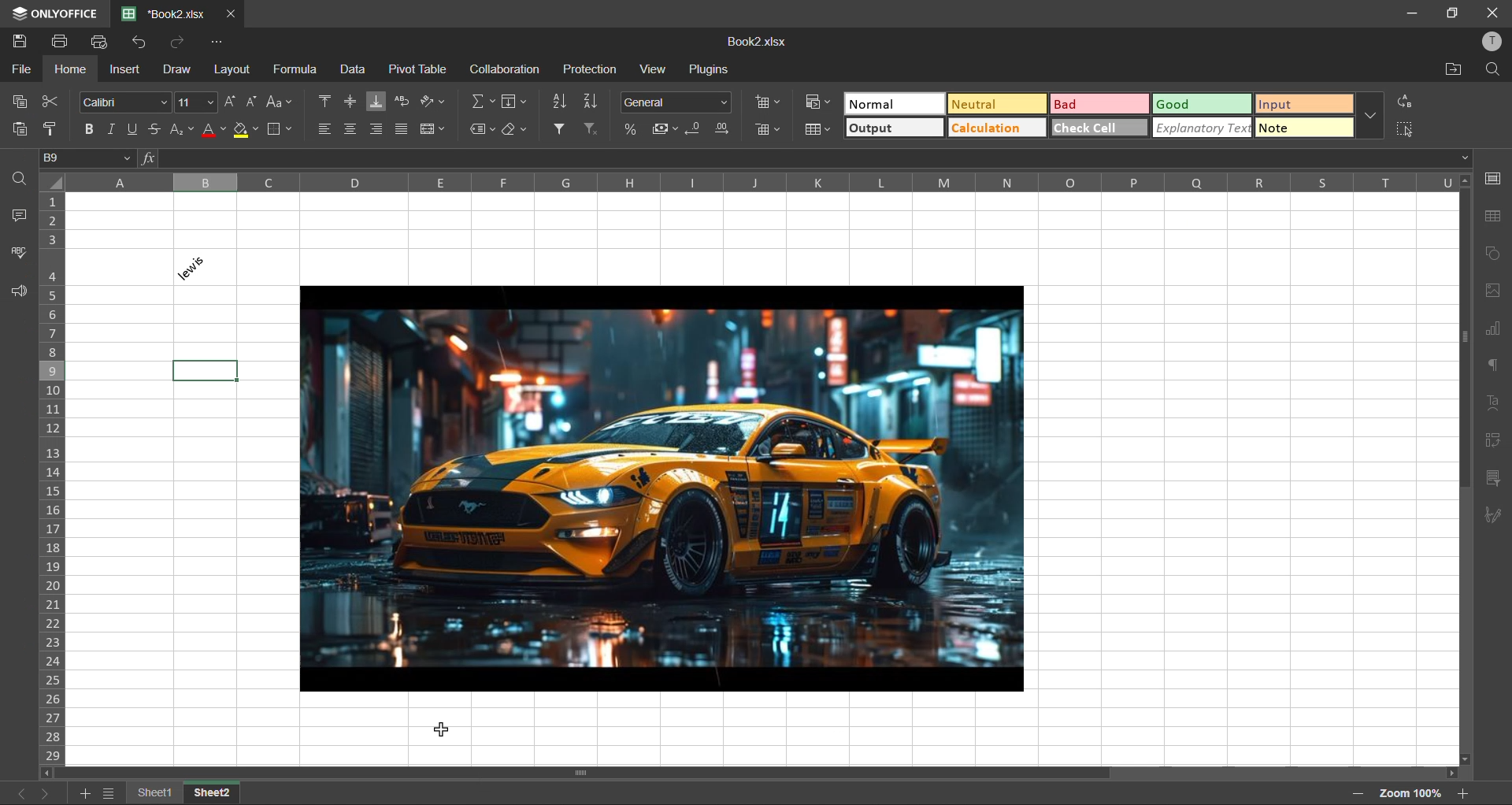 The width and height of the screenshot is (1512, 805). I want to click on note, so click(1305, 127).